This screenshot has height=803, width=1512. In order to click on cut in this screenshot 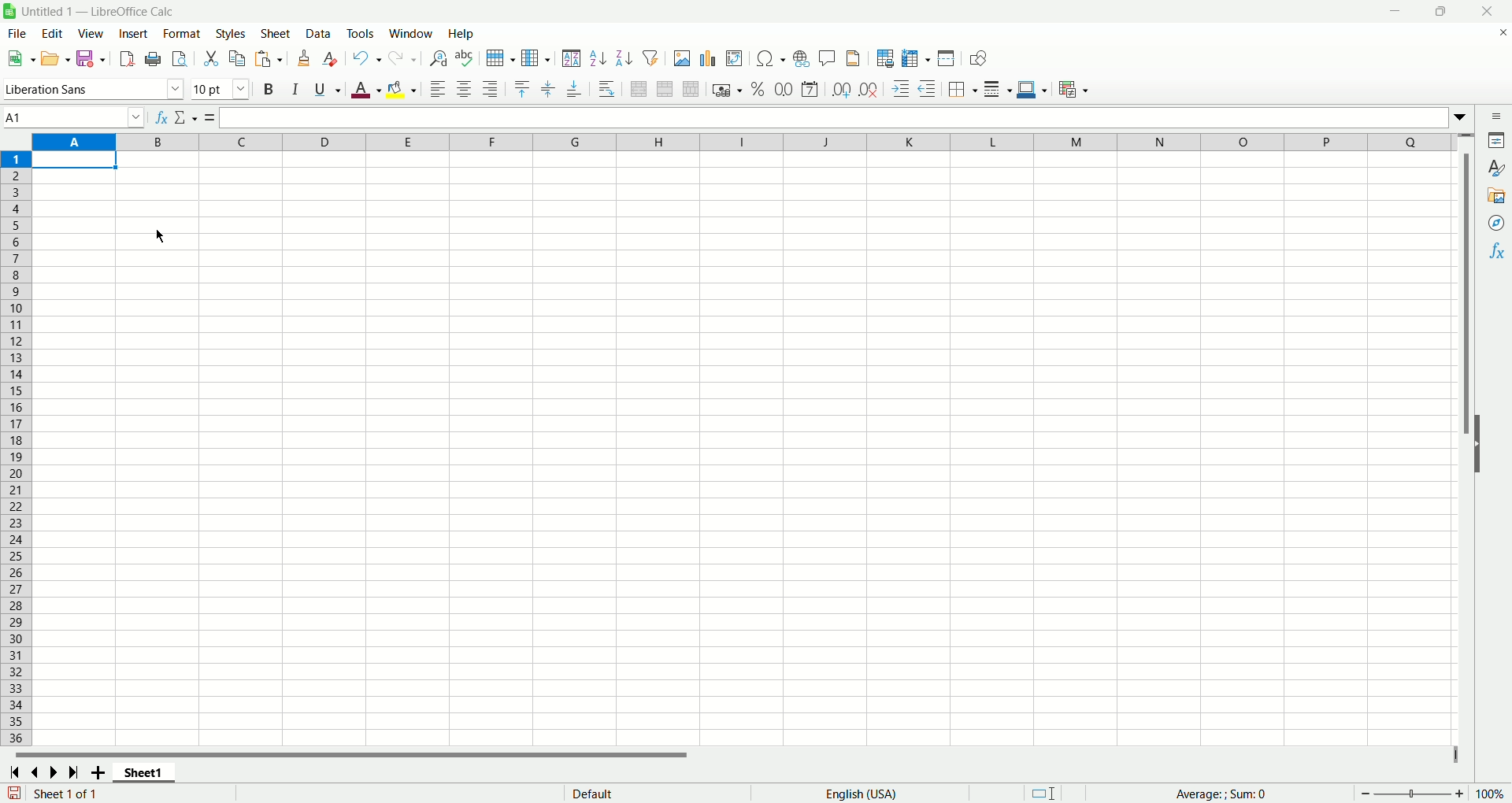, I will do `click(210, 58)`.